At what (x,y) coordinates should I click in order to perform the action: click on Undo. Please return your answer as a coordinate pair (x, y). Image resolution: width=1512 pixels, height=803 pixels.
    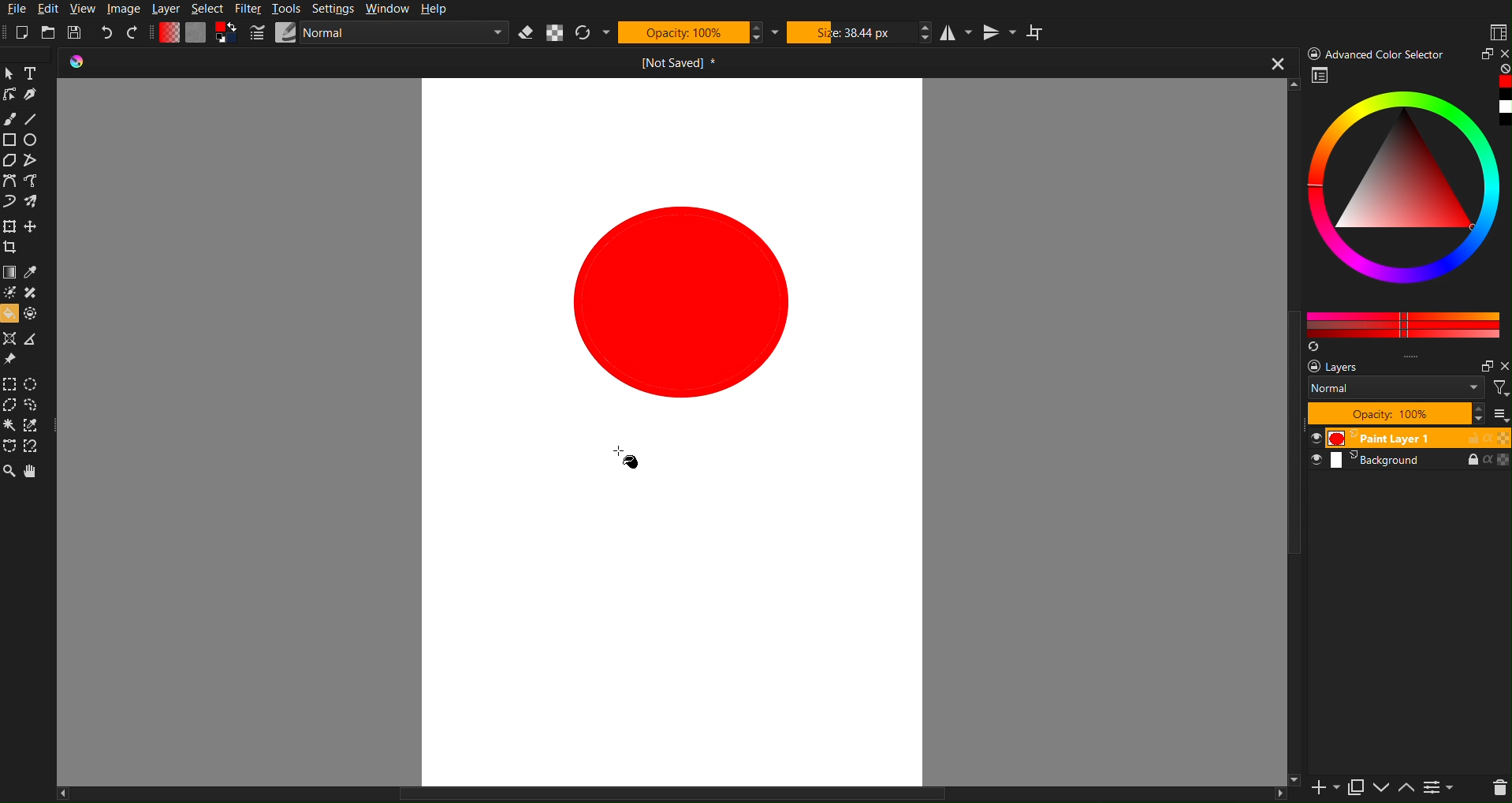
    Looking at the image, I should click on (106, 35).